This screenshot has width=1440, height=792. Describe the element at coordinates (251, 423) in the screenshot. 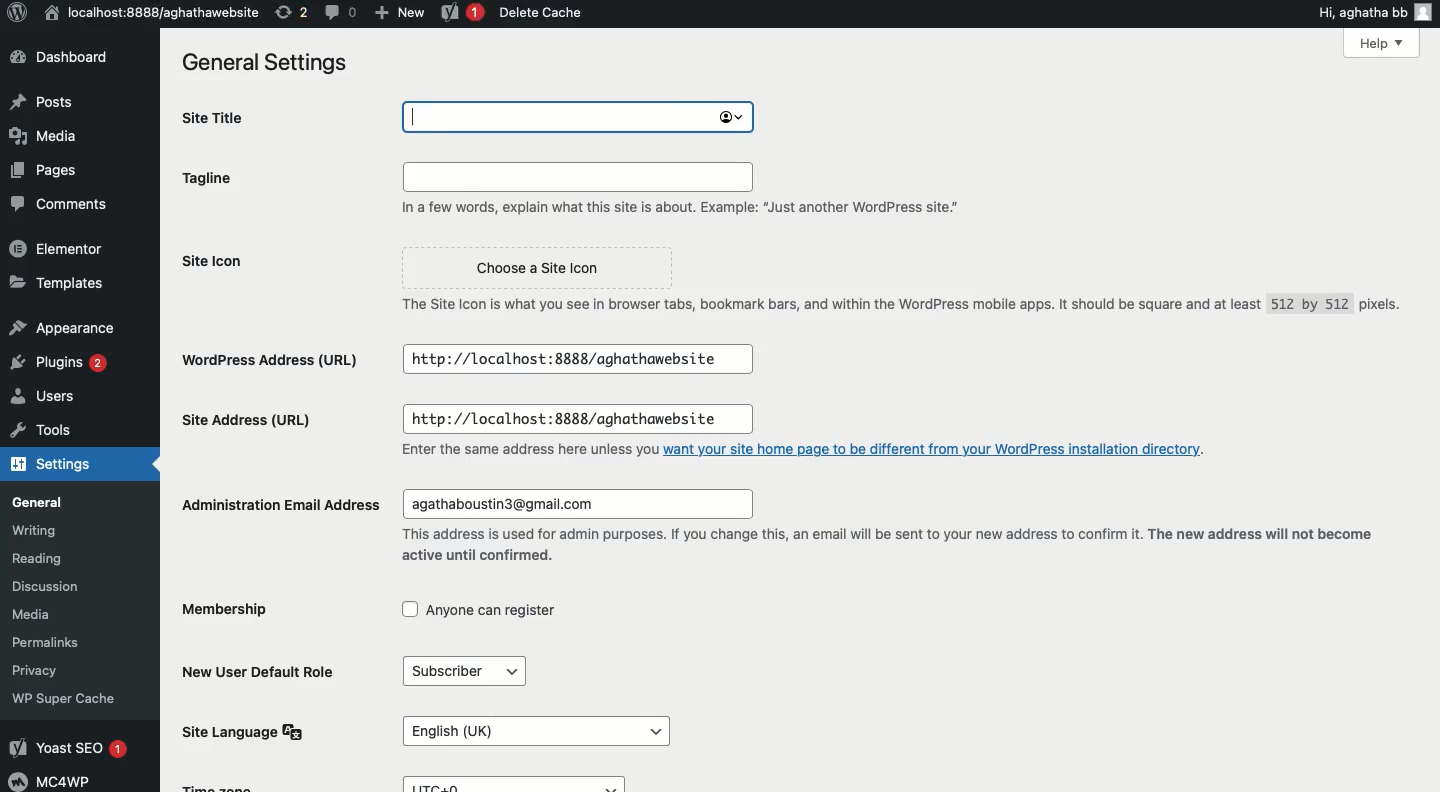

I see `Site address url` at that location.